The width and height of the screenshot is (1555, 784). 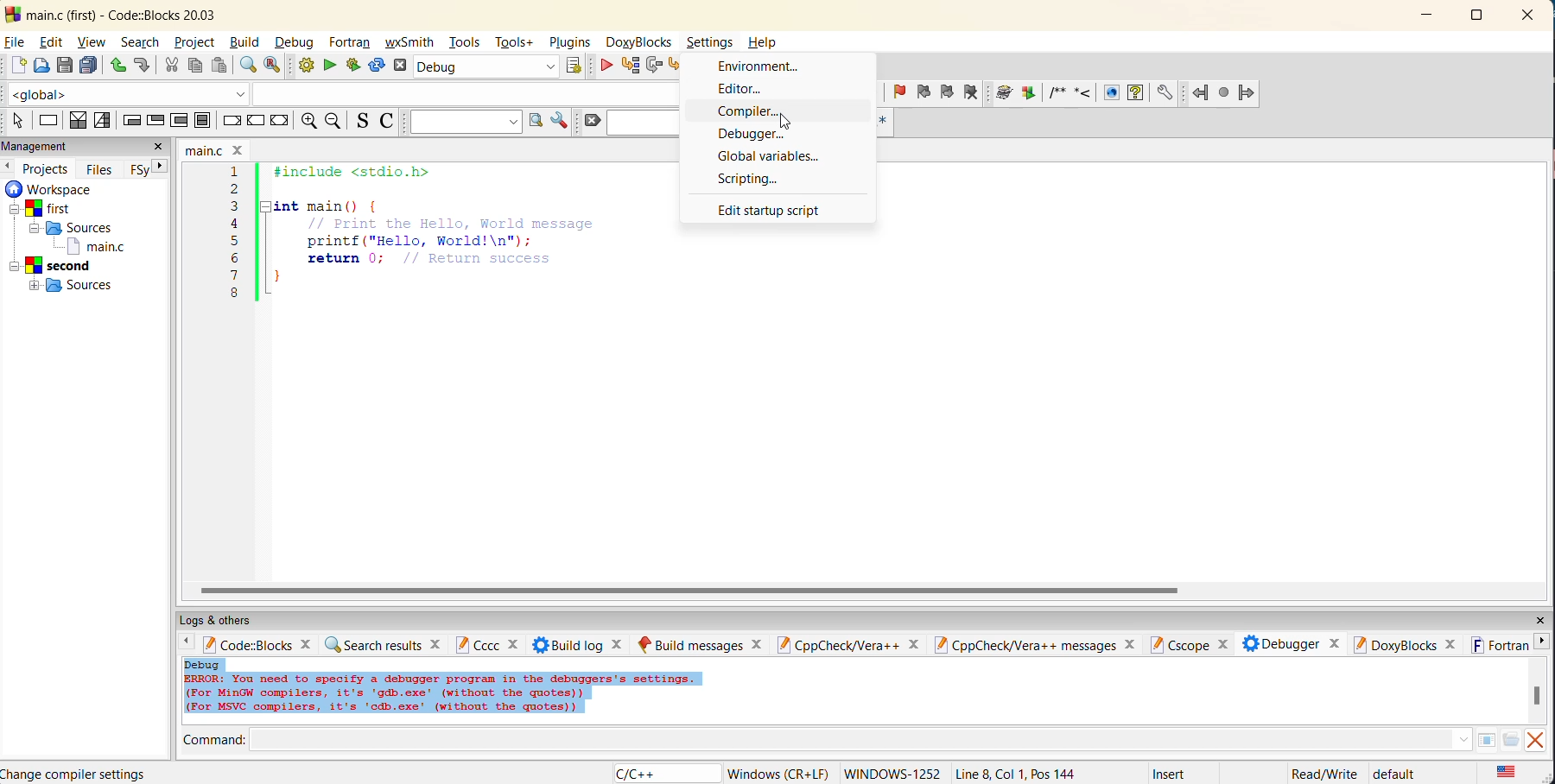 I want to click on debugger, so click(x=1289, y=643).